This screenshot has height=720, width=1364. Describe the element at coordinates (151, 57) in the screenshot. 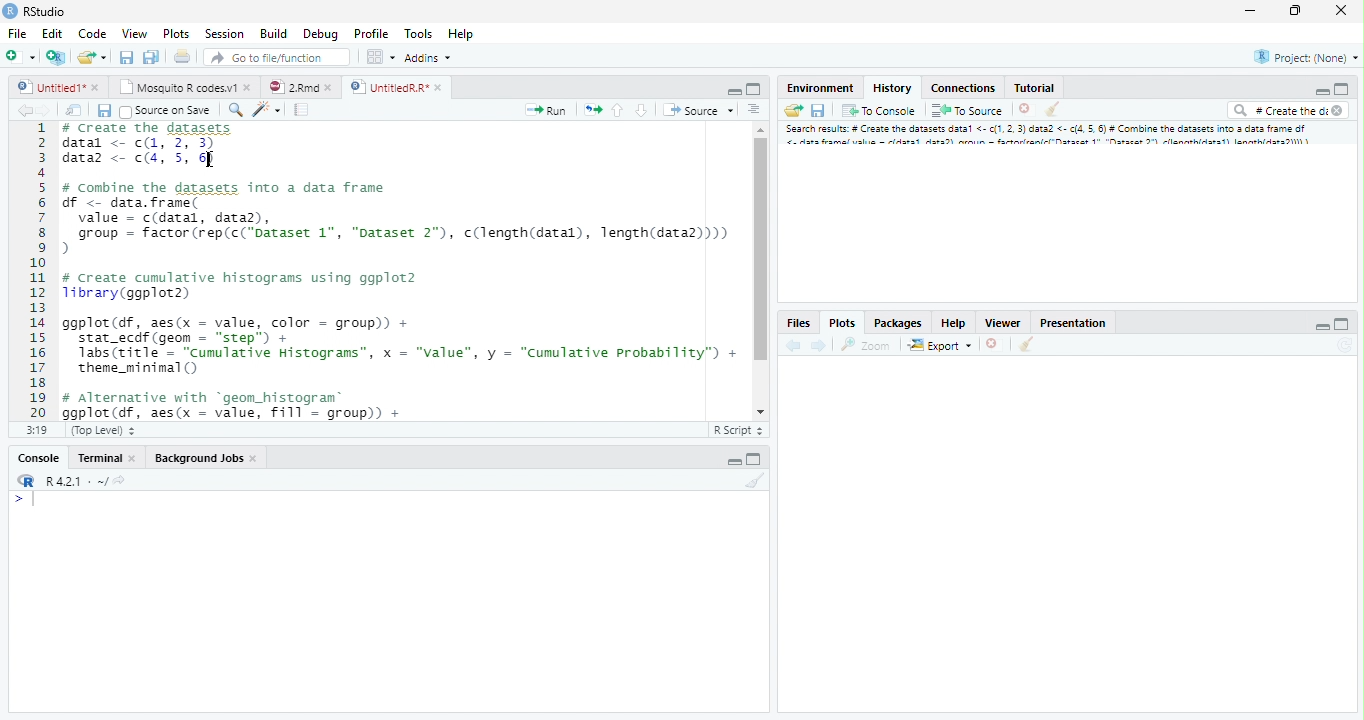

I see `Save all` at that location.